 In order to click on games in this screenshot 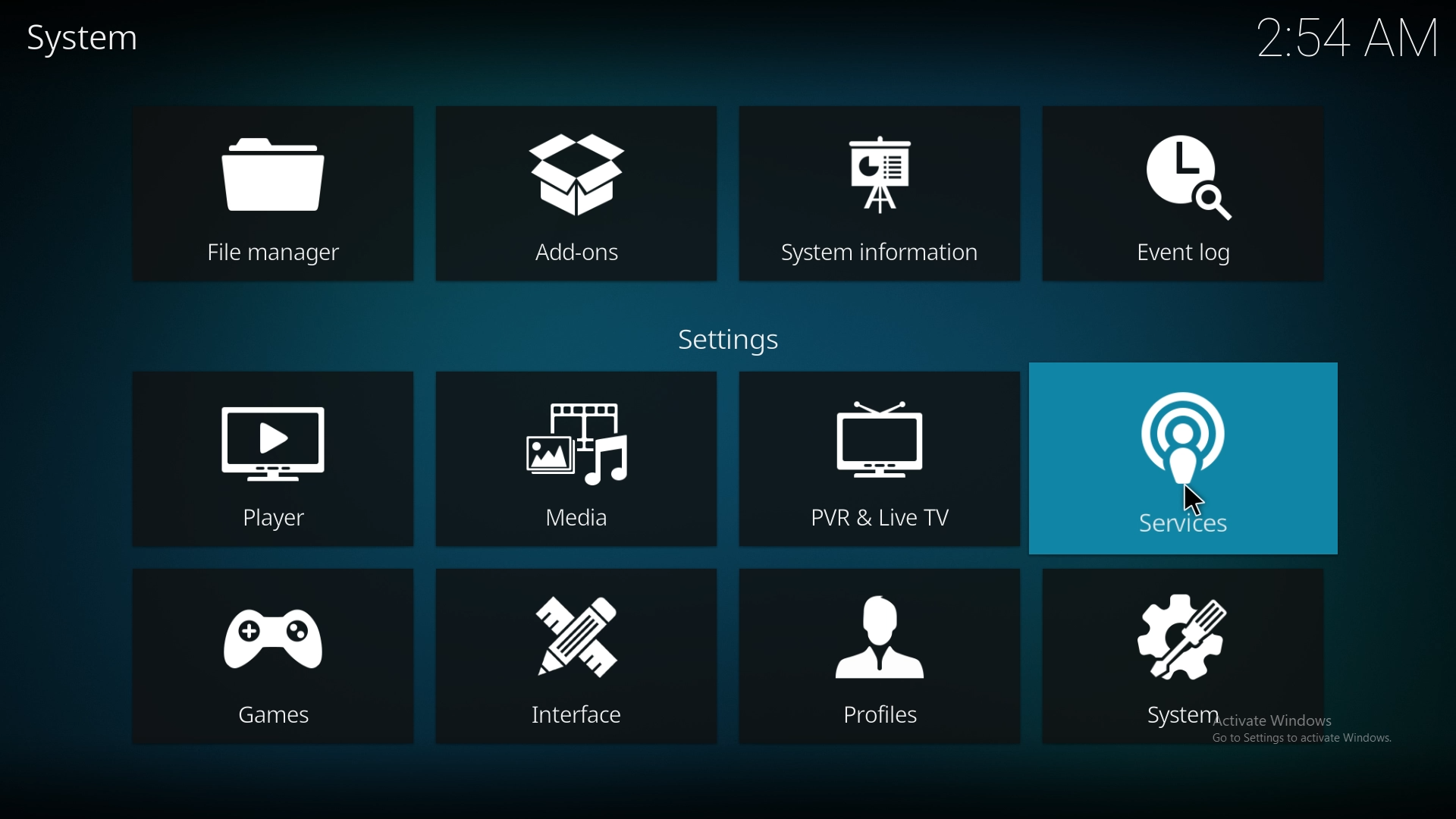, I will do `click(273, 654)`.